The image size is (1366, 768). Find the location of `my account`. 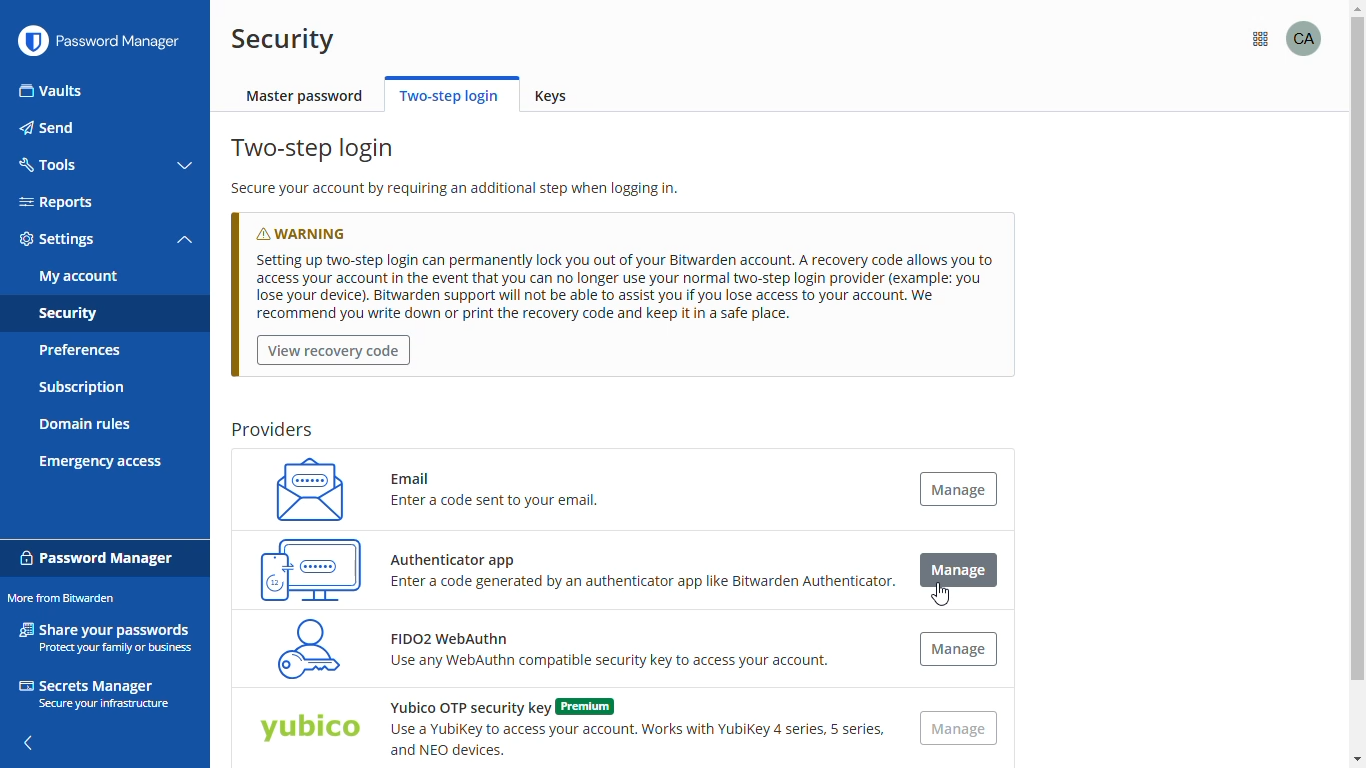

my account is located at coordinates (79, 276).